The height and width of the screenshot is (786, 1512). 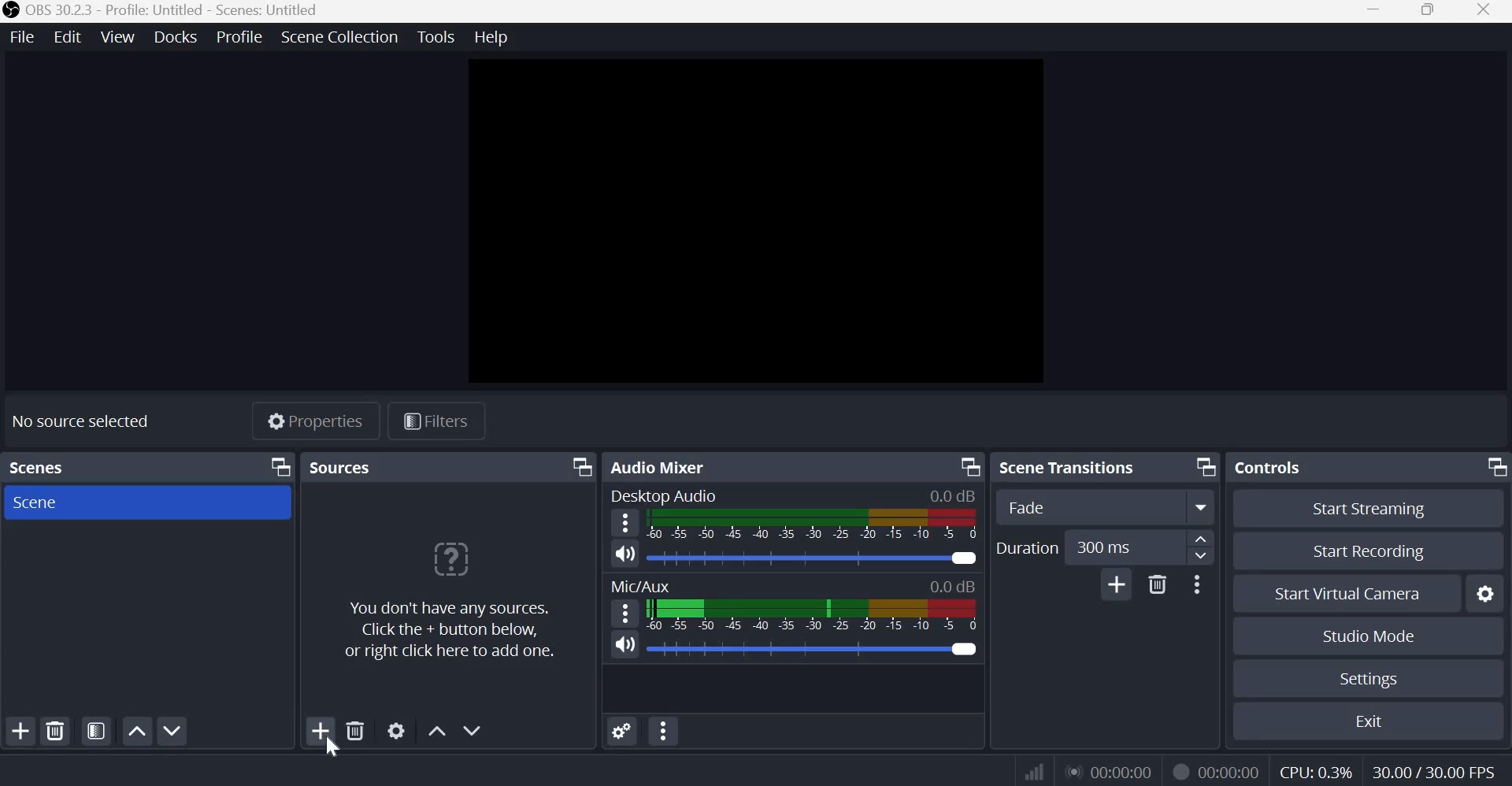 I want to click on You don't have any sources, Click the +button below, or right click here to add one. , so click(x=450, y=602).